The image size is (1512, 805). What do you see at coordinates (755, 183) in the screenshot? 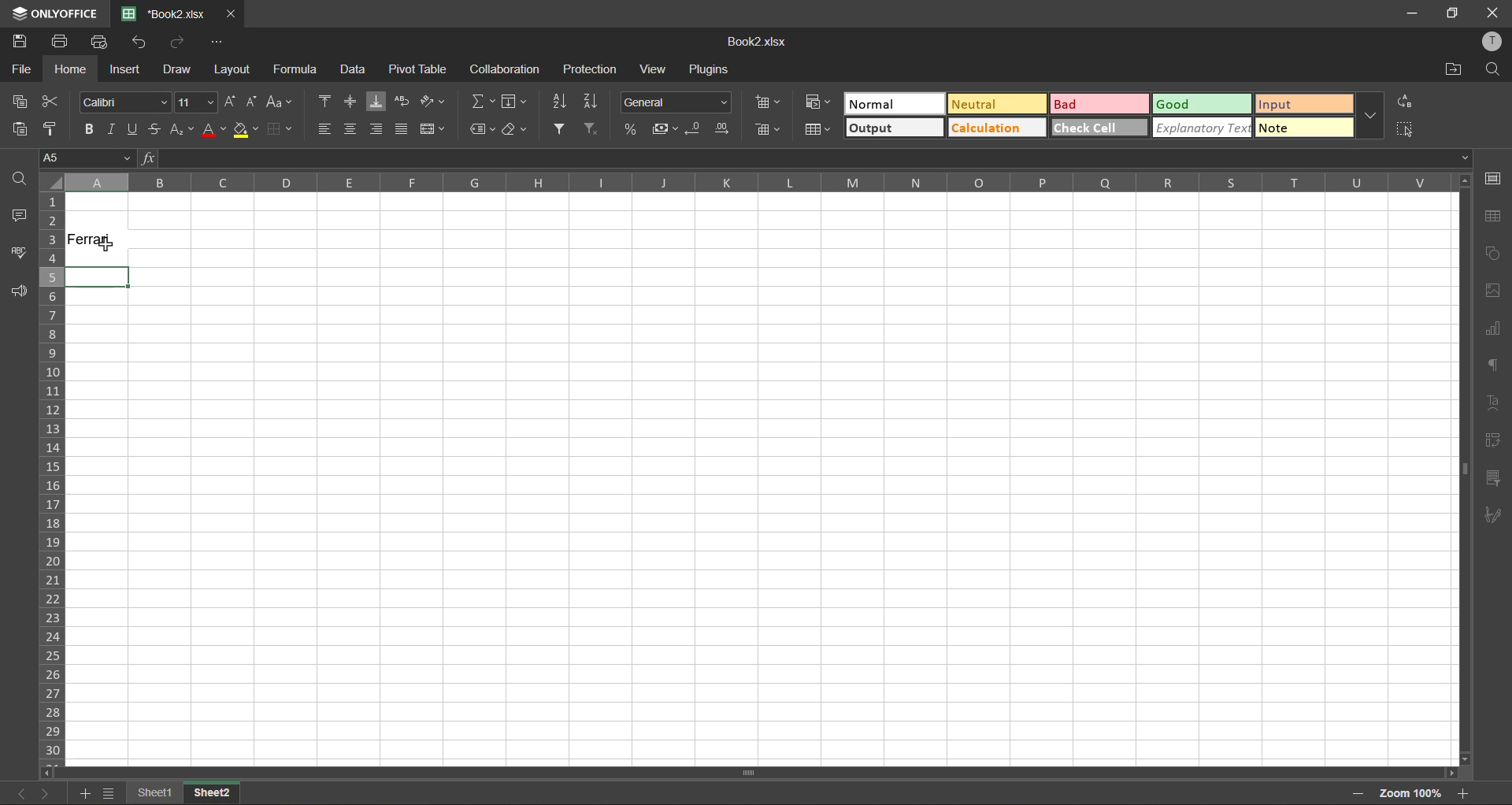
I see `column names` at bounding box center [755, 183].